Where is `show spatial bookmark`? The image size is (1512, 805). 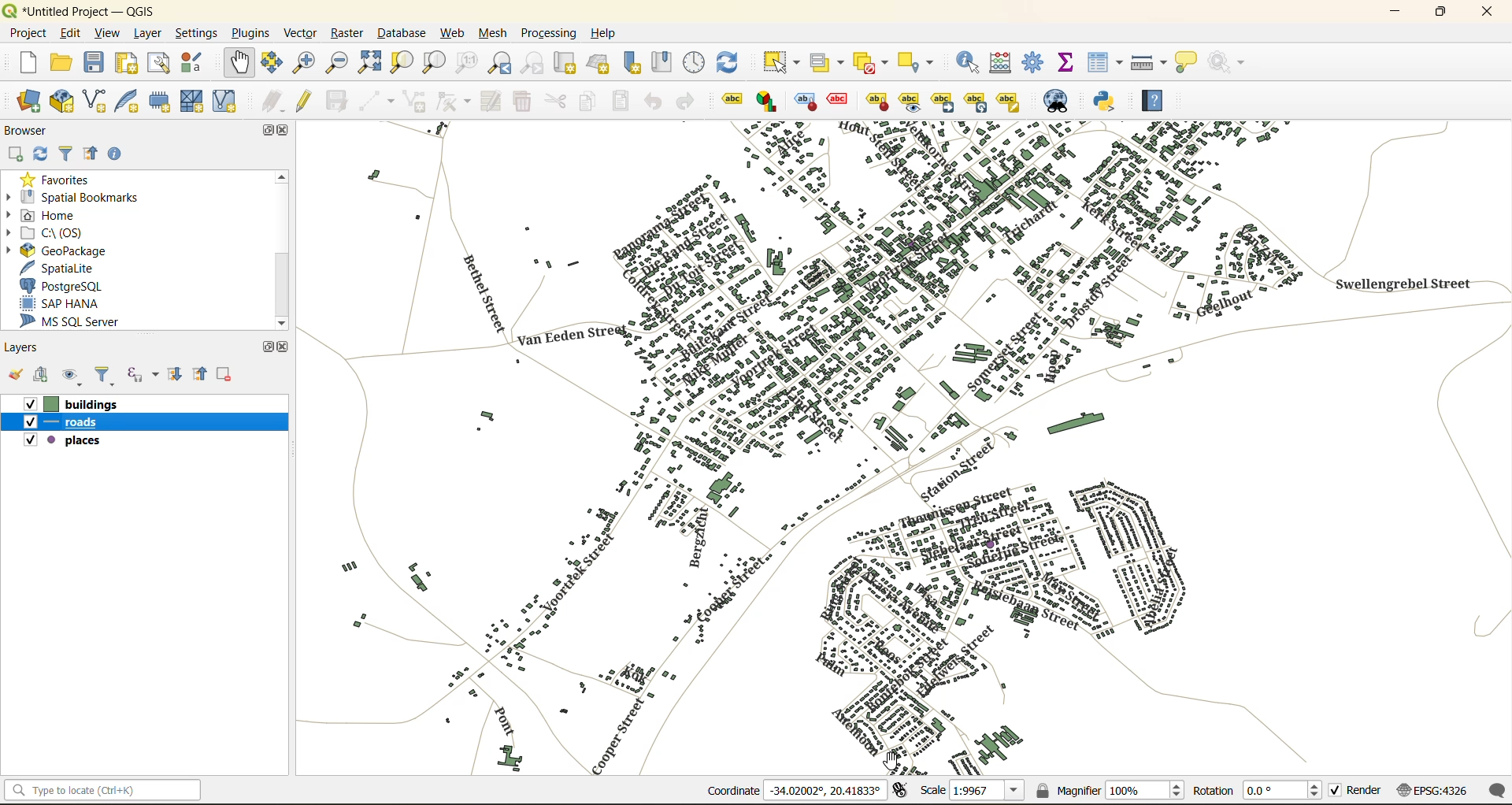
show spatial bookmark is located at coordinates (661, 63).